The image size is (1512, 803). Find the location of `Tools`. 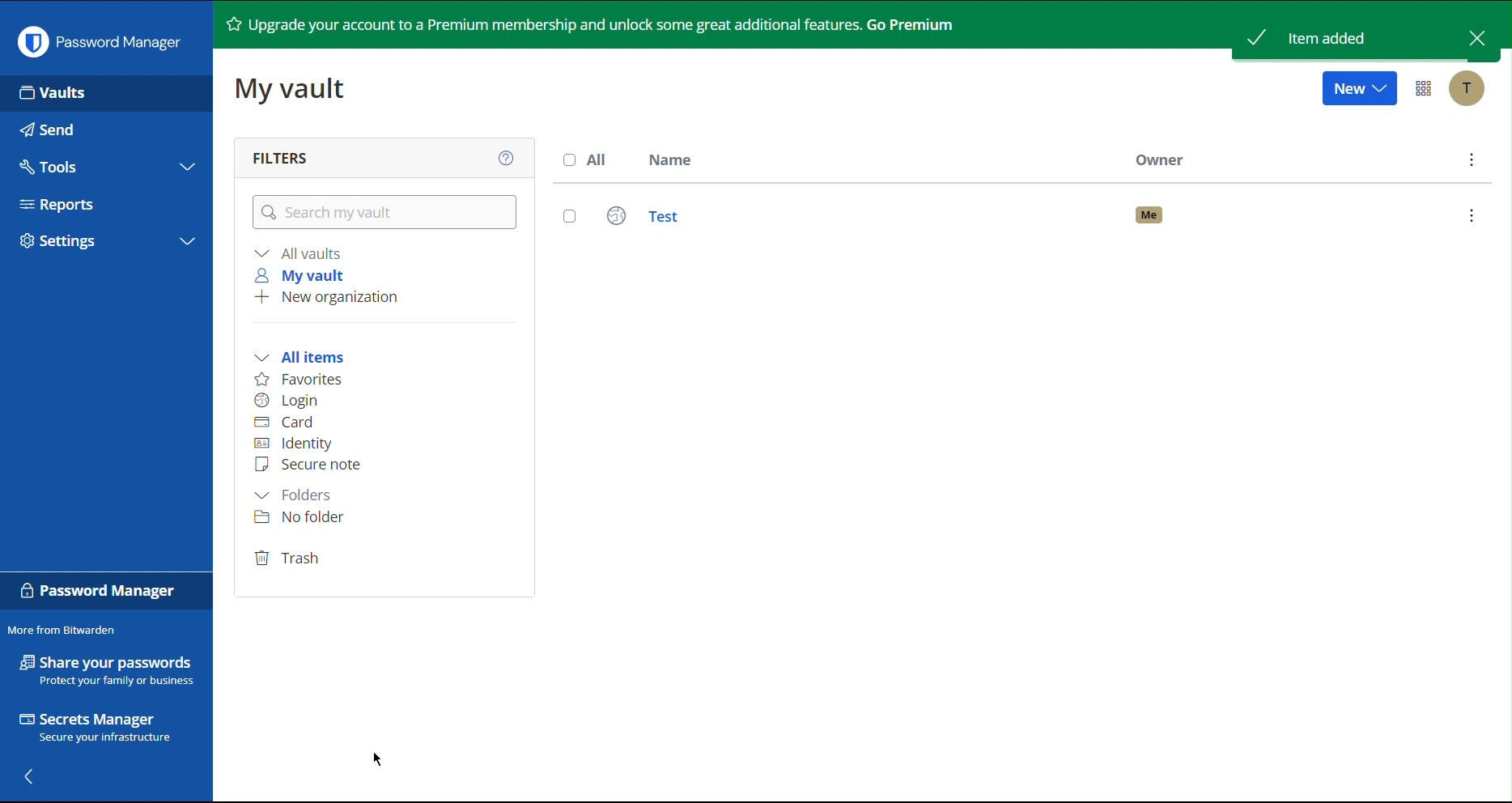

Tools is located at coordinates (102, 164).